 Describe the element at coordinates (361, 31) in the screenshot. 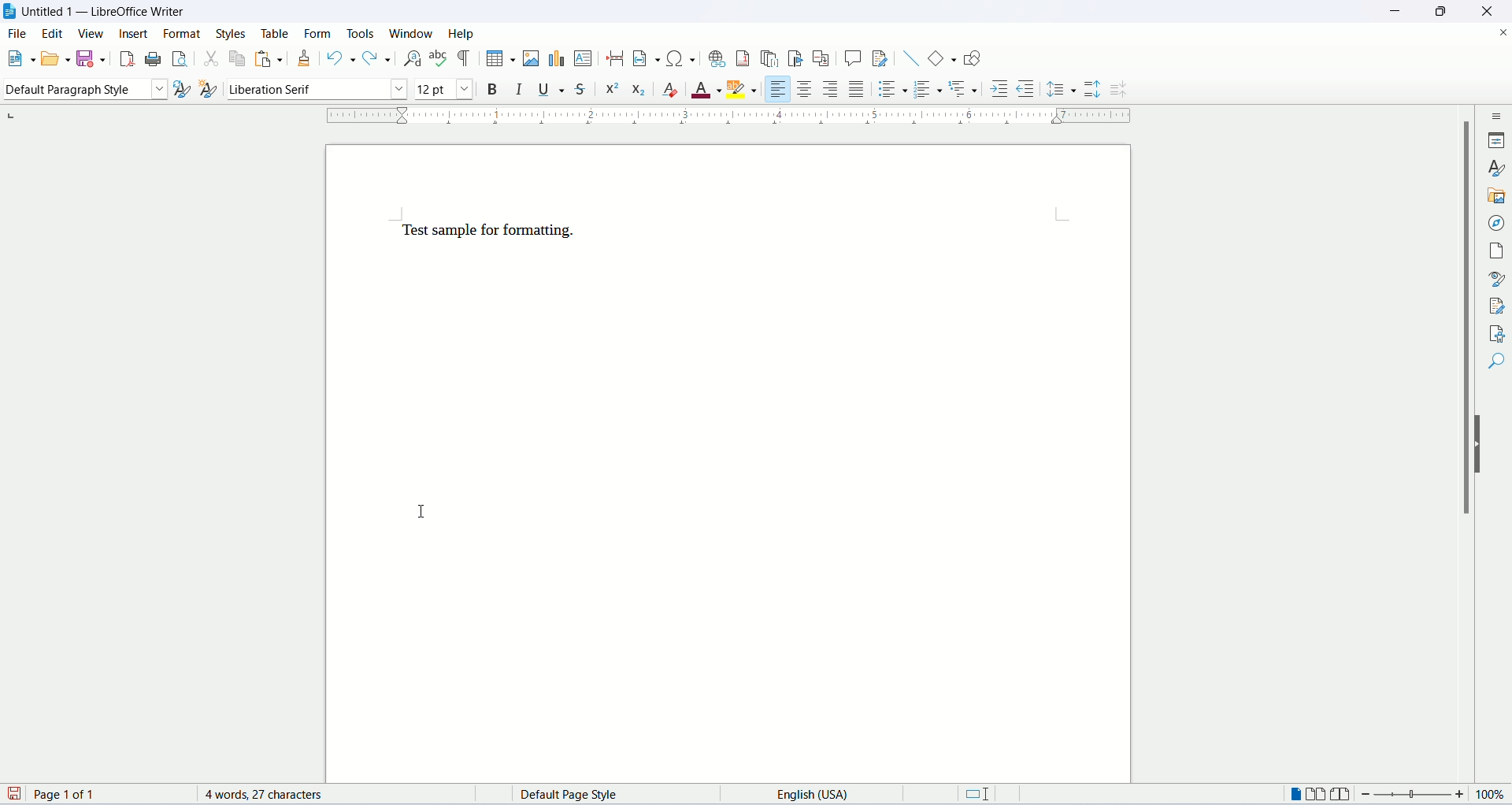

I see `tools` at that location.